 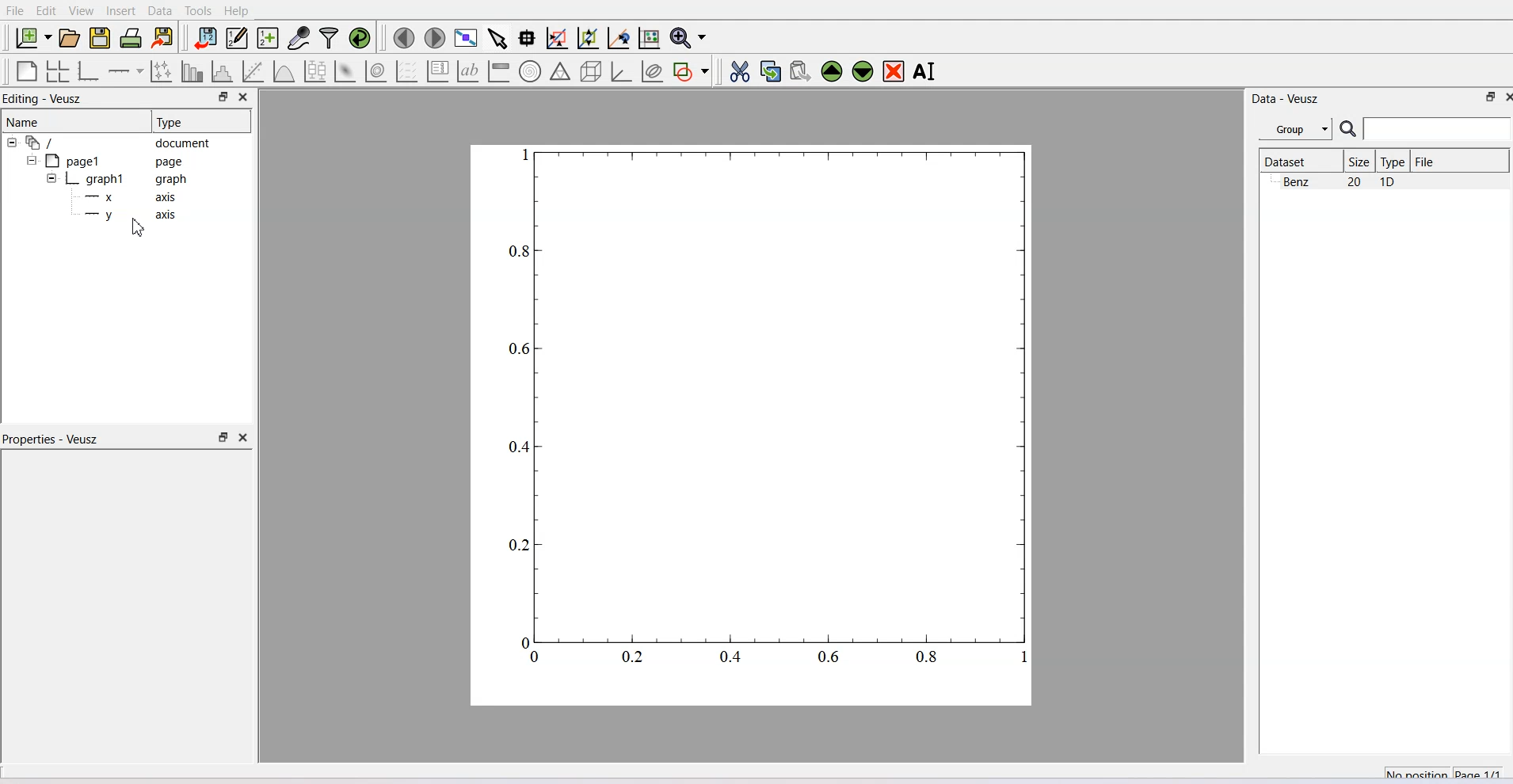 What do you see at coordinates (345, 70) in the screenshot?
I see `Plot a 2D dataset as Image` at bounding box center [345, 70].